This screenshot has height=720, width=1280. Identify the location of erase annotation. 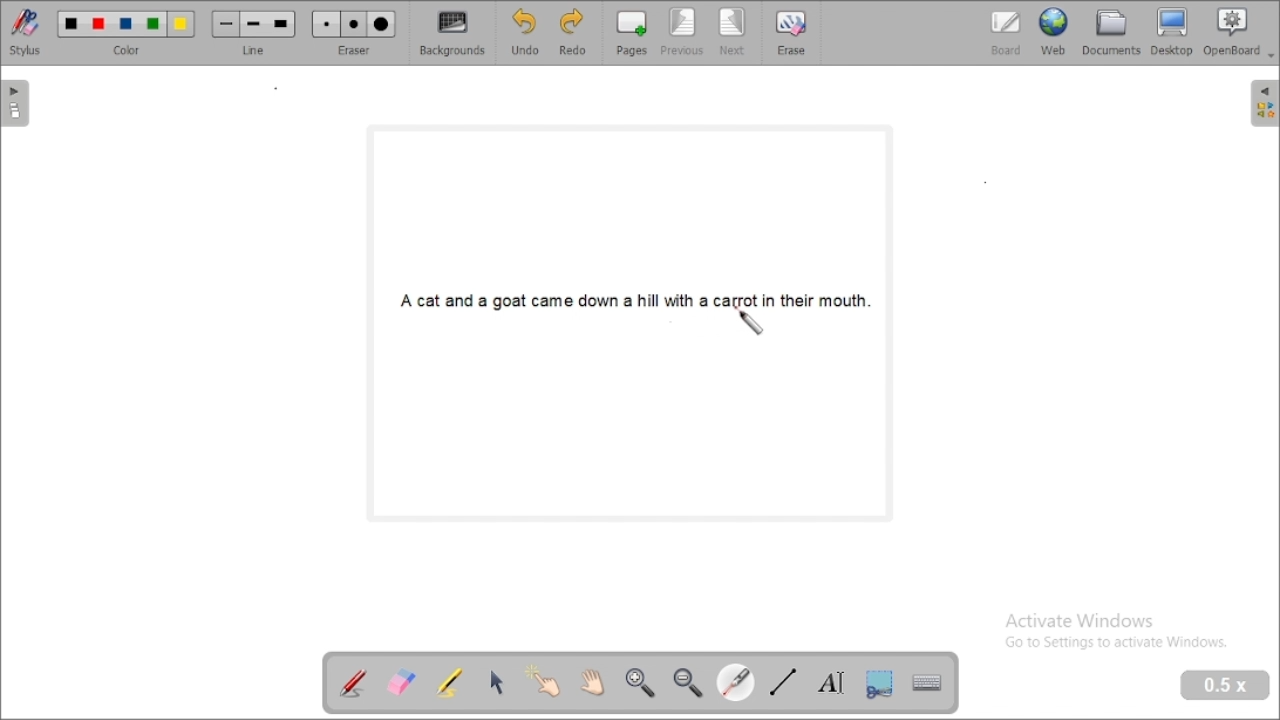
(402, 682).